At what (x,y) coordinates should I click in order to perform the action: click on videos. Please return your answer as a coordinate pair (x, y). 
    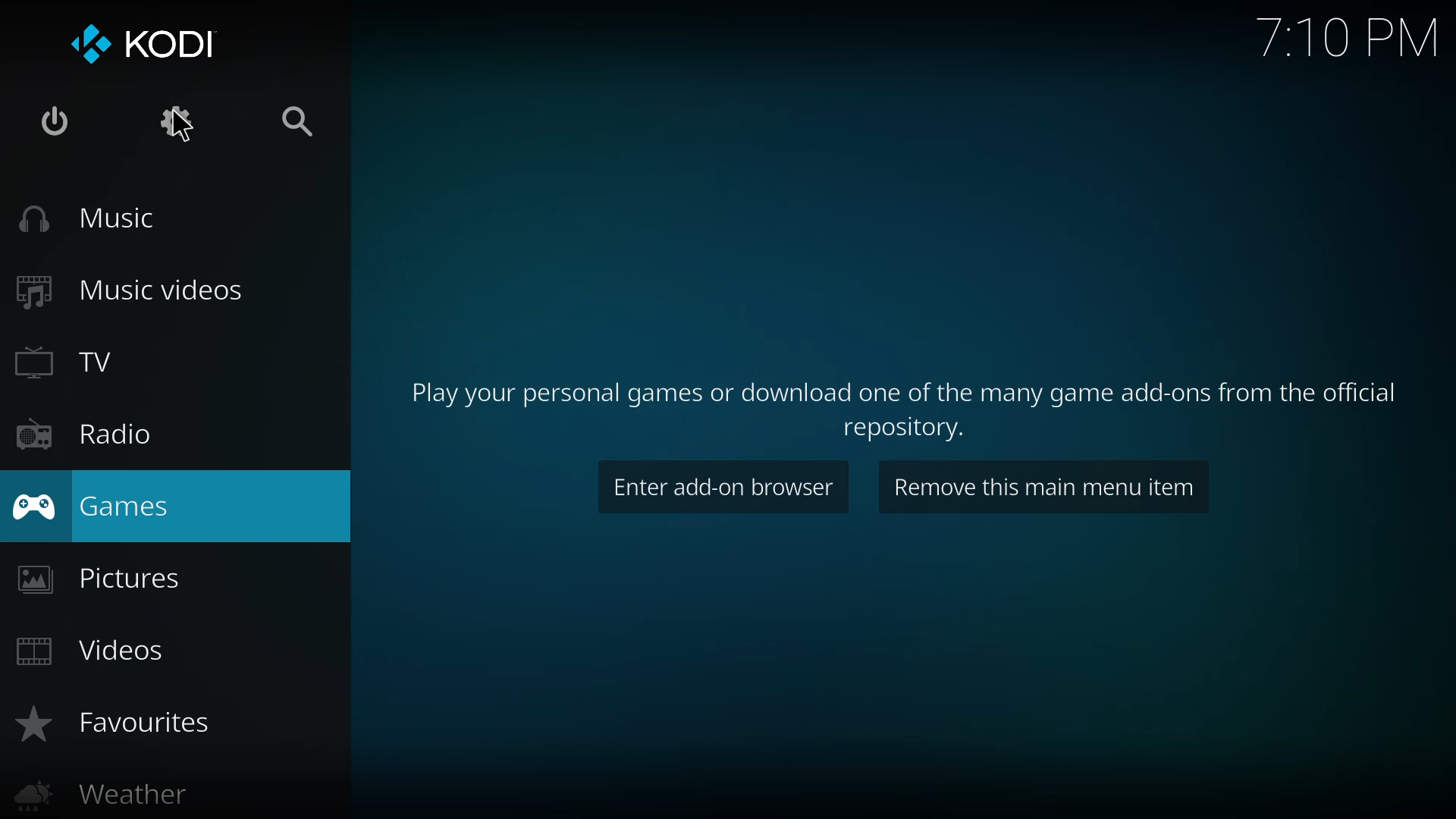
    Looking at the image, I should click on (97, 651).